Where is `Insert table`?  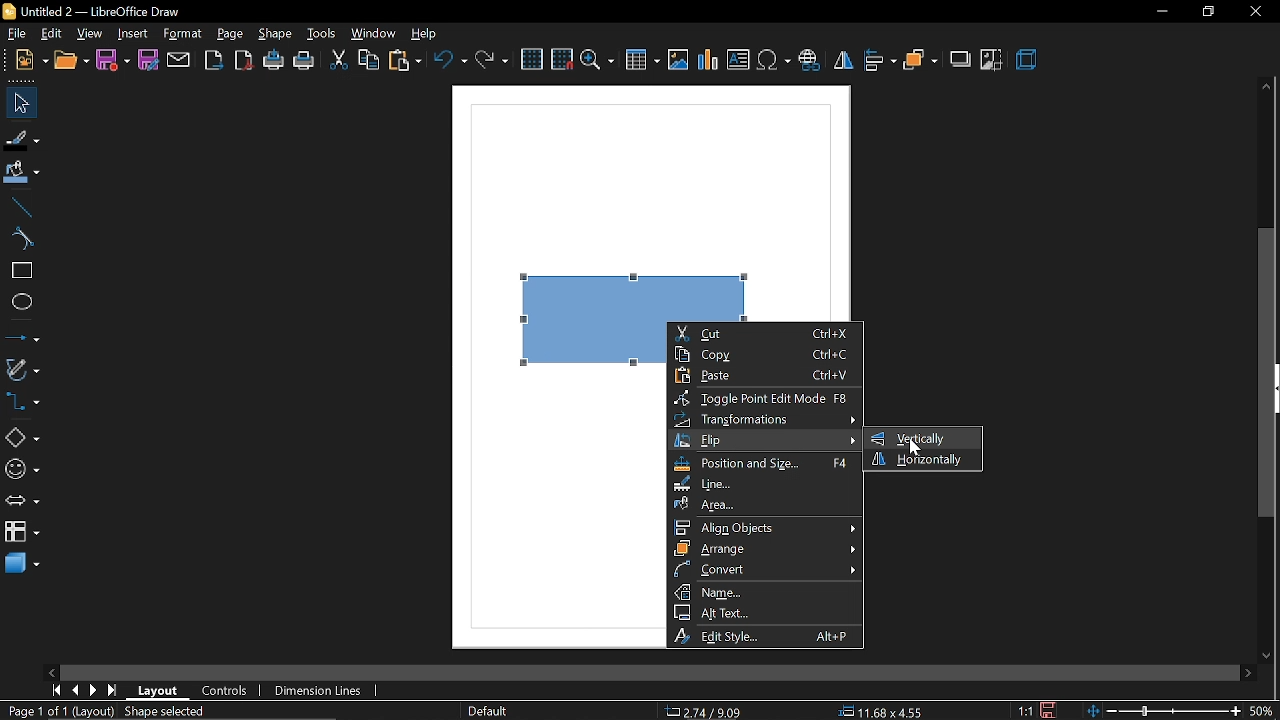 Insert table is located at coordinates (642, 63).